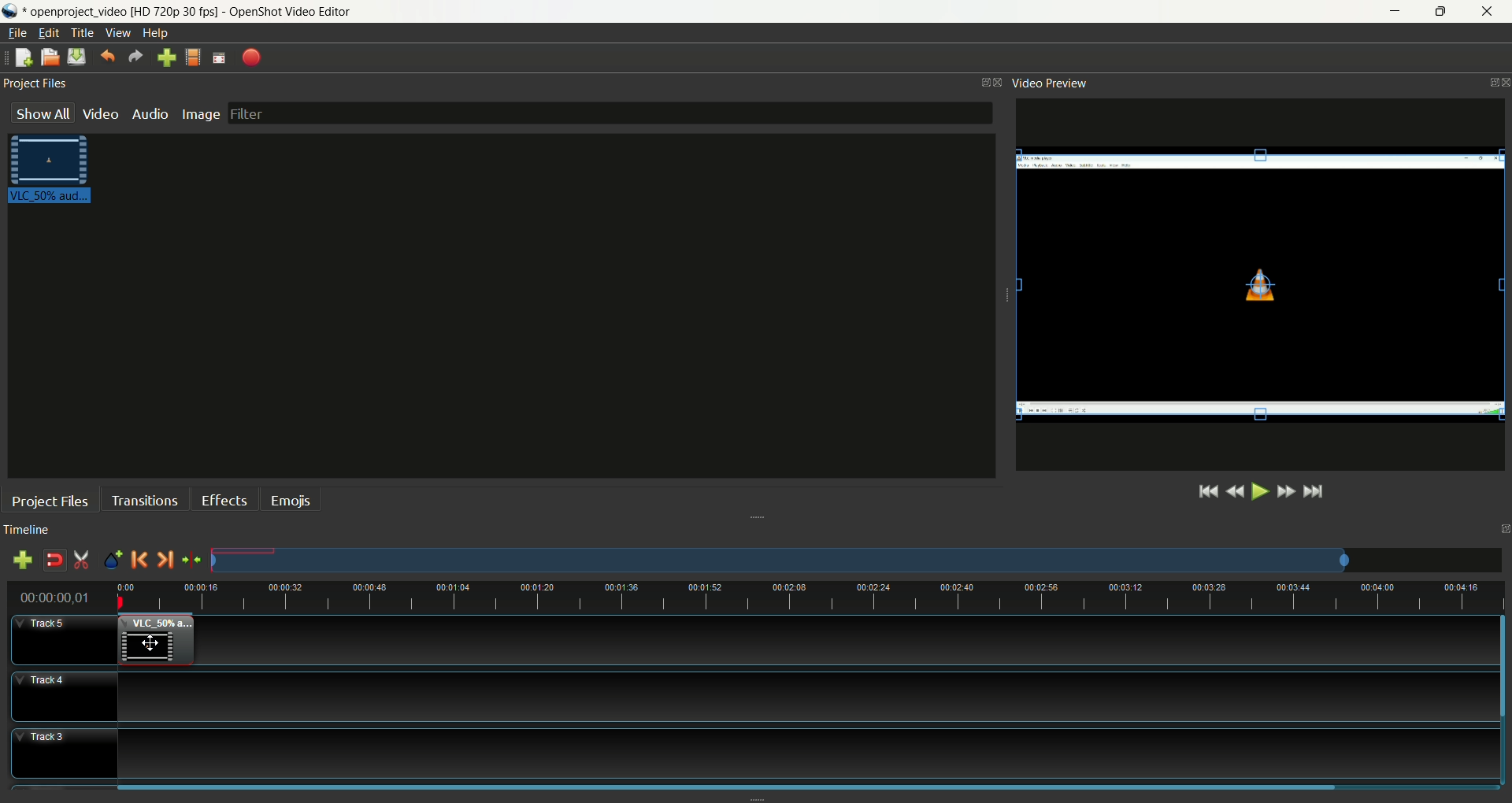 This screenshot has height=803, width=1512. I want to click on play, so click(1258, 491).